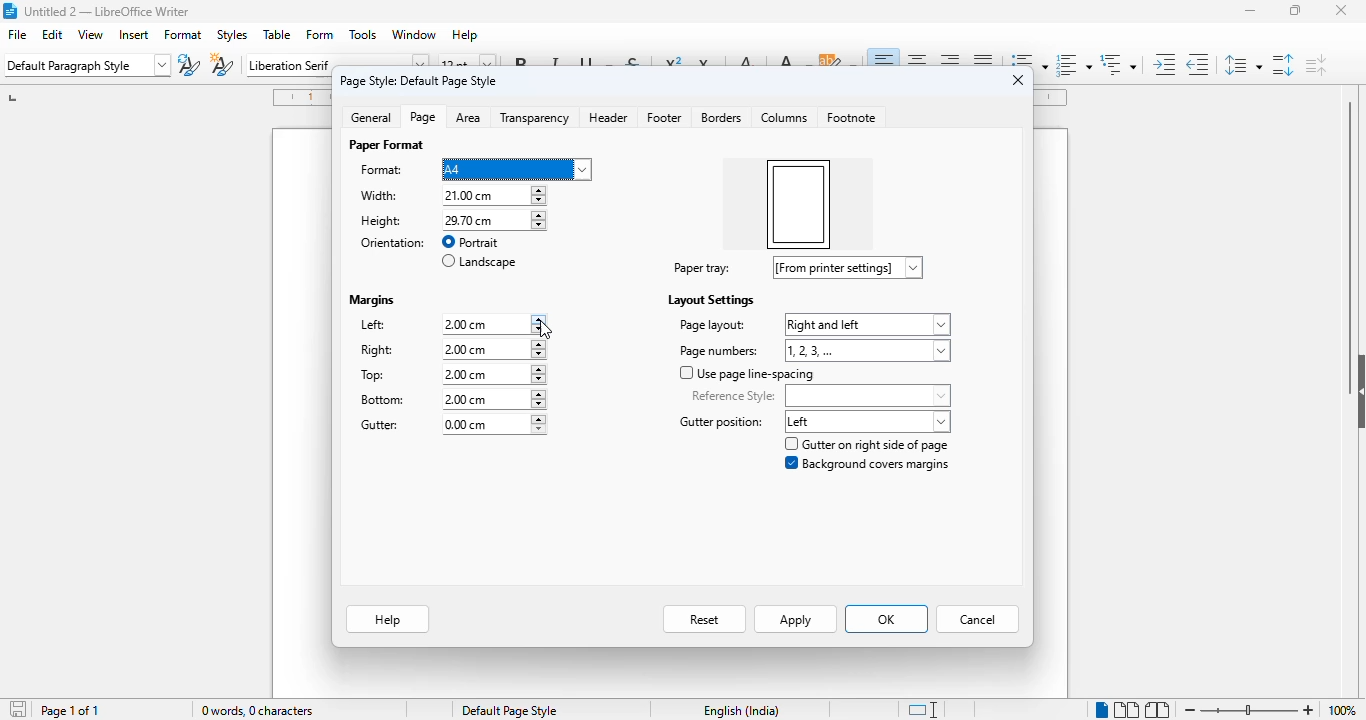  Describe the element at coordinates (412, 35) in the screenshot. I see `window` at that location.